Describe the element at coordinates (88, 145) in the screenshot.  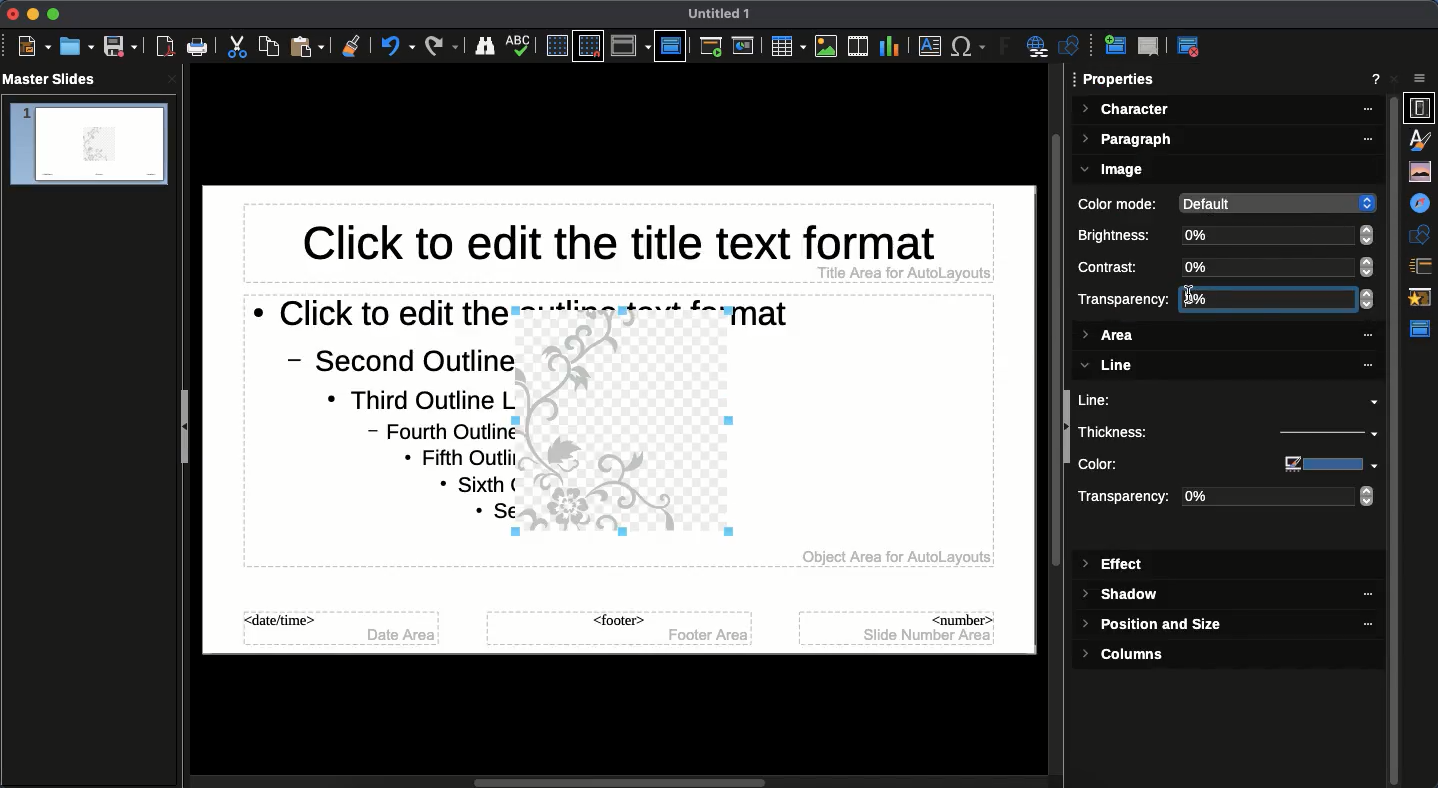
I see `slide 1` at that location.